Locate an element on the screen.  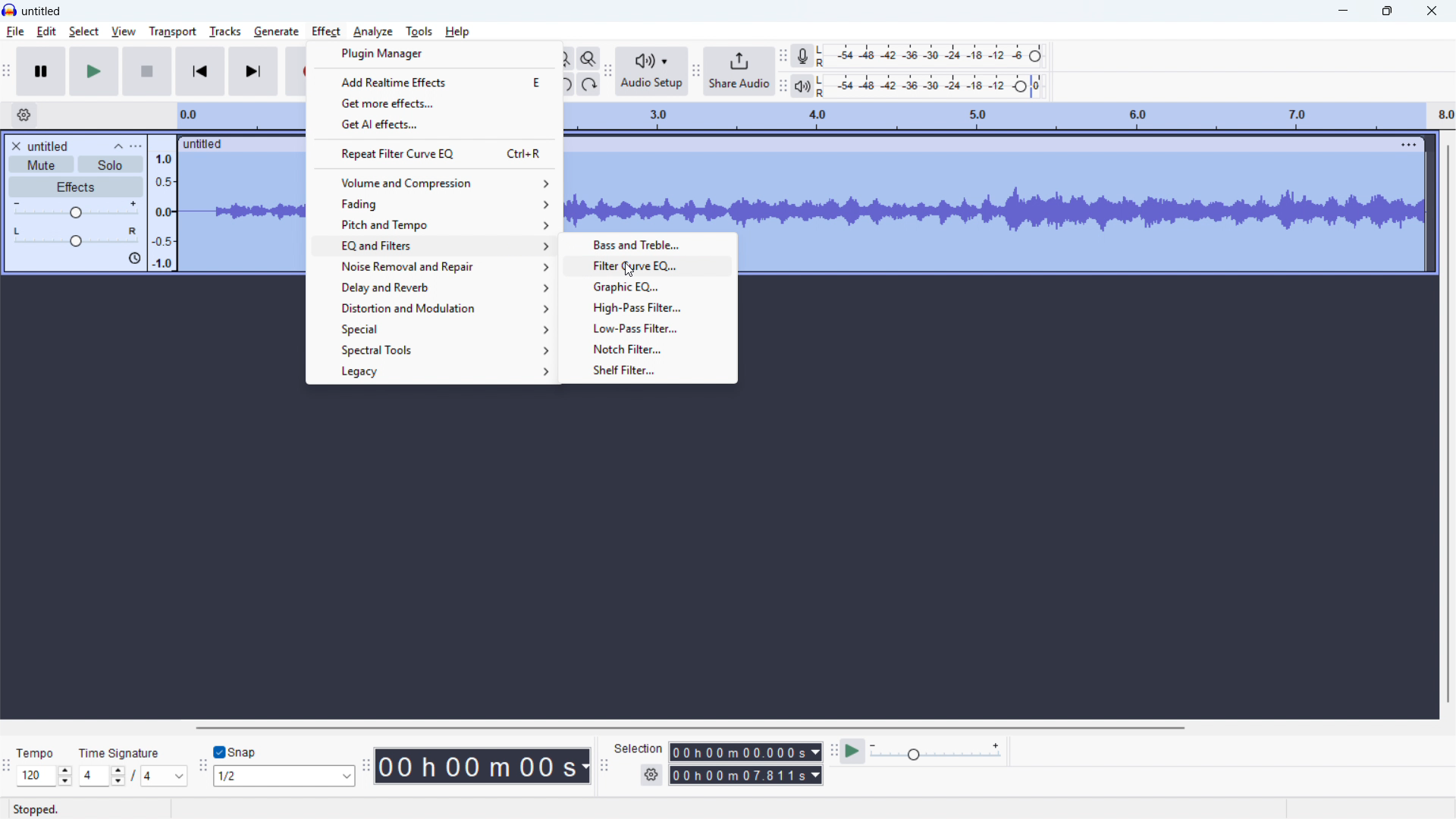
tempo is located at coordinates (36, 754).